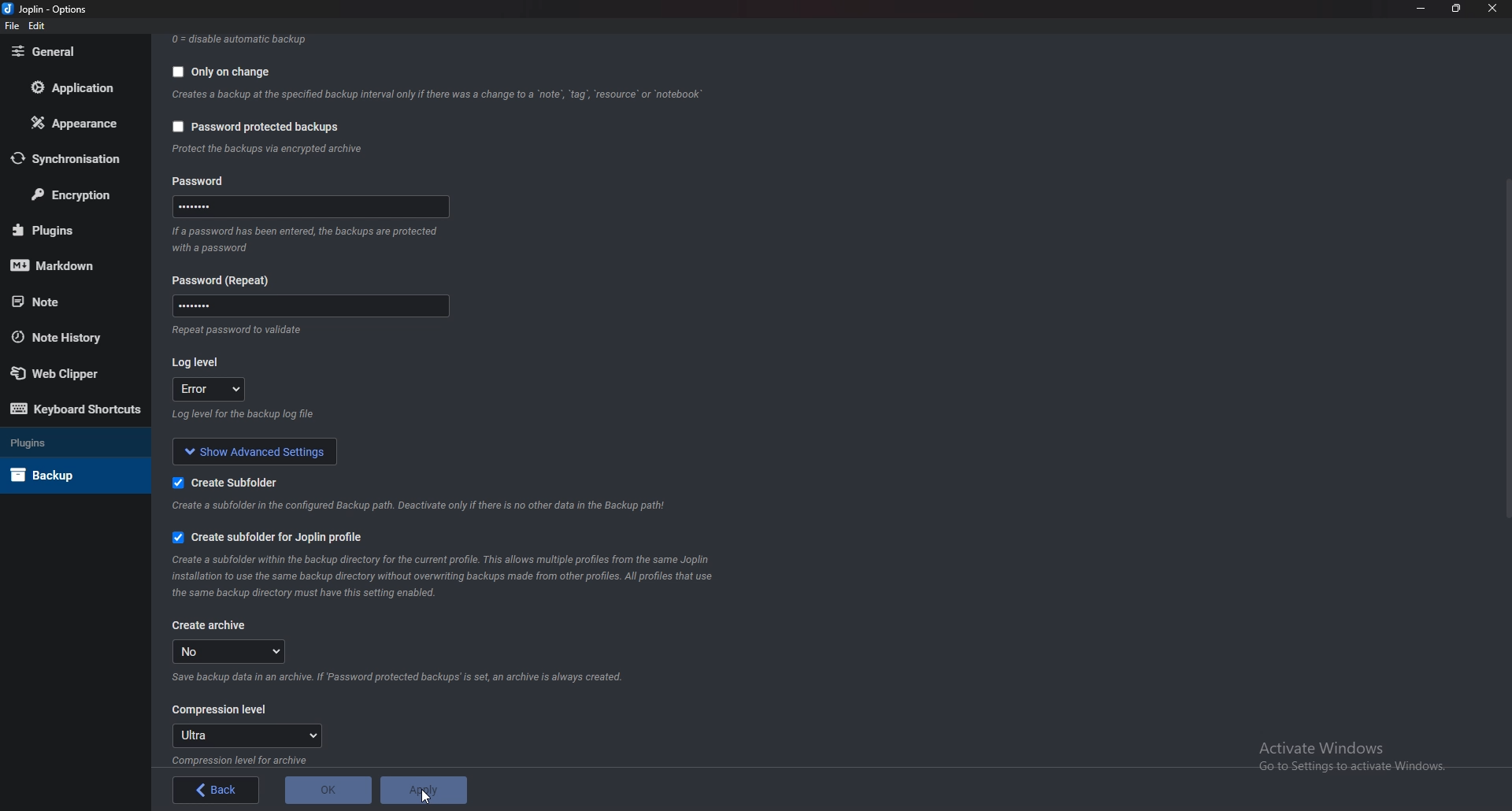  I want to click on Plugins, so click(63, 441).